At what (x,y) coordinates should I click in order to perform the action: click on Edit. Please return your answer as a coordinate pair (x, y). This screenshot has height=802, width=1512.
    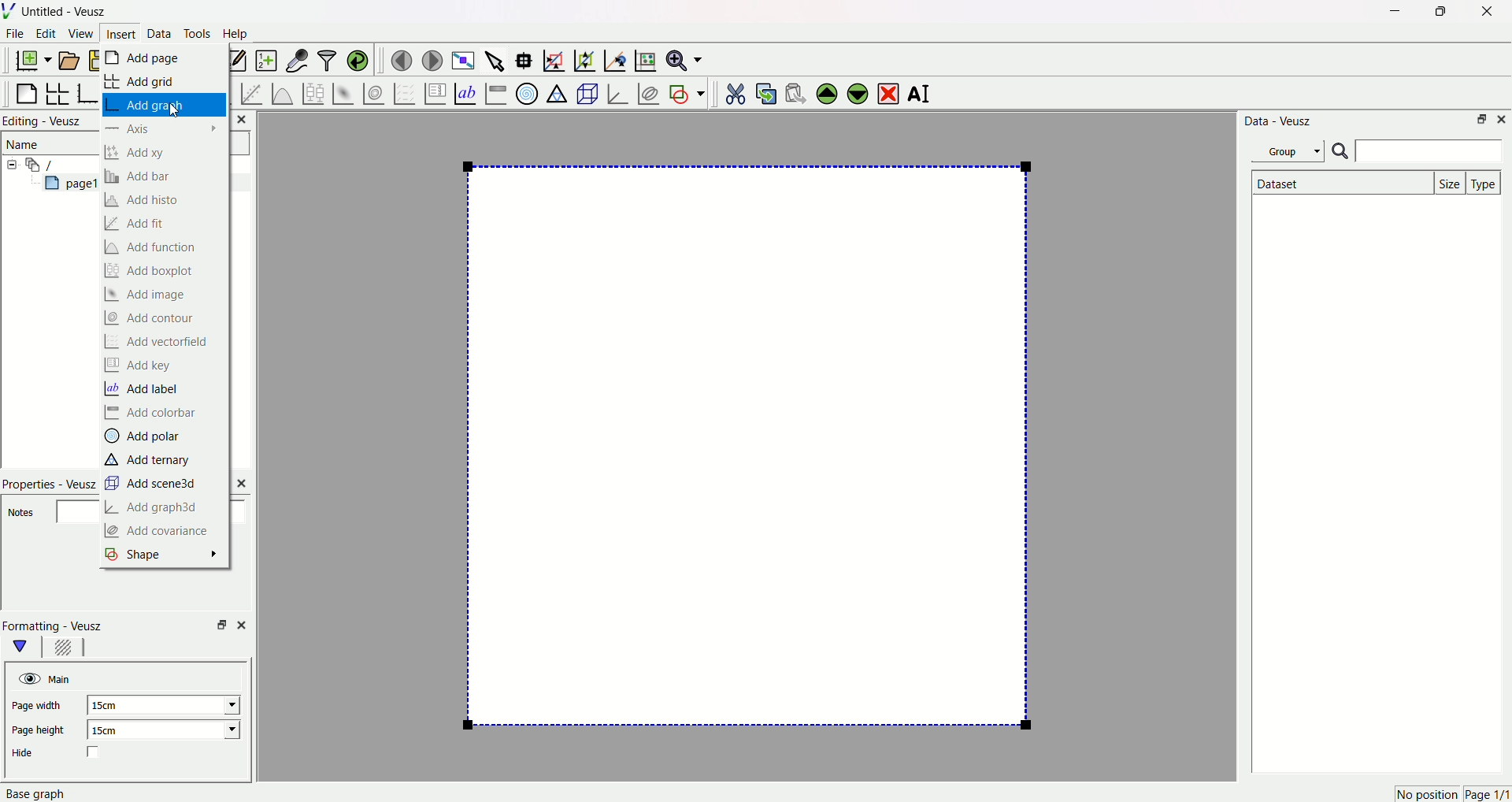
    Looking at the image, I should click on (46, 35).